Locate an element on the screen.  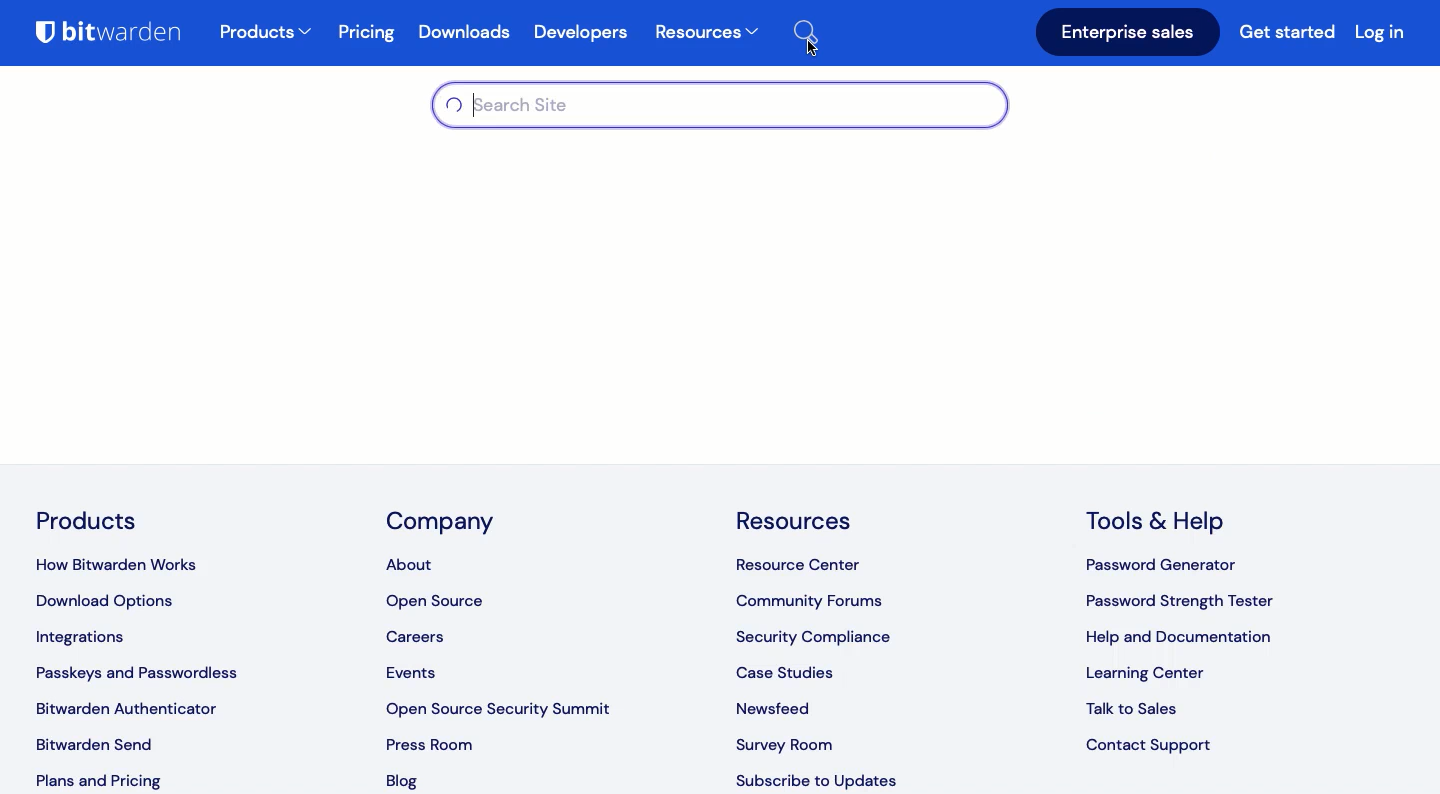
Bitwarden authenticator is located at coordinates (126, 708).